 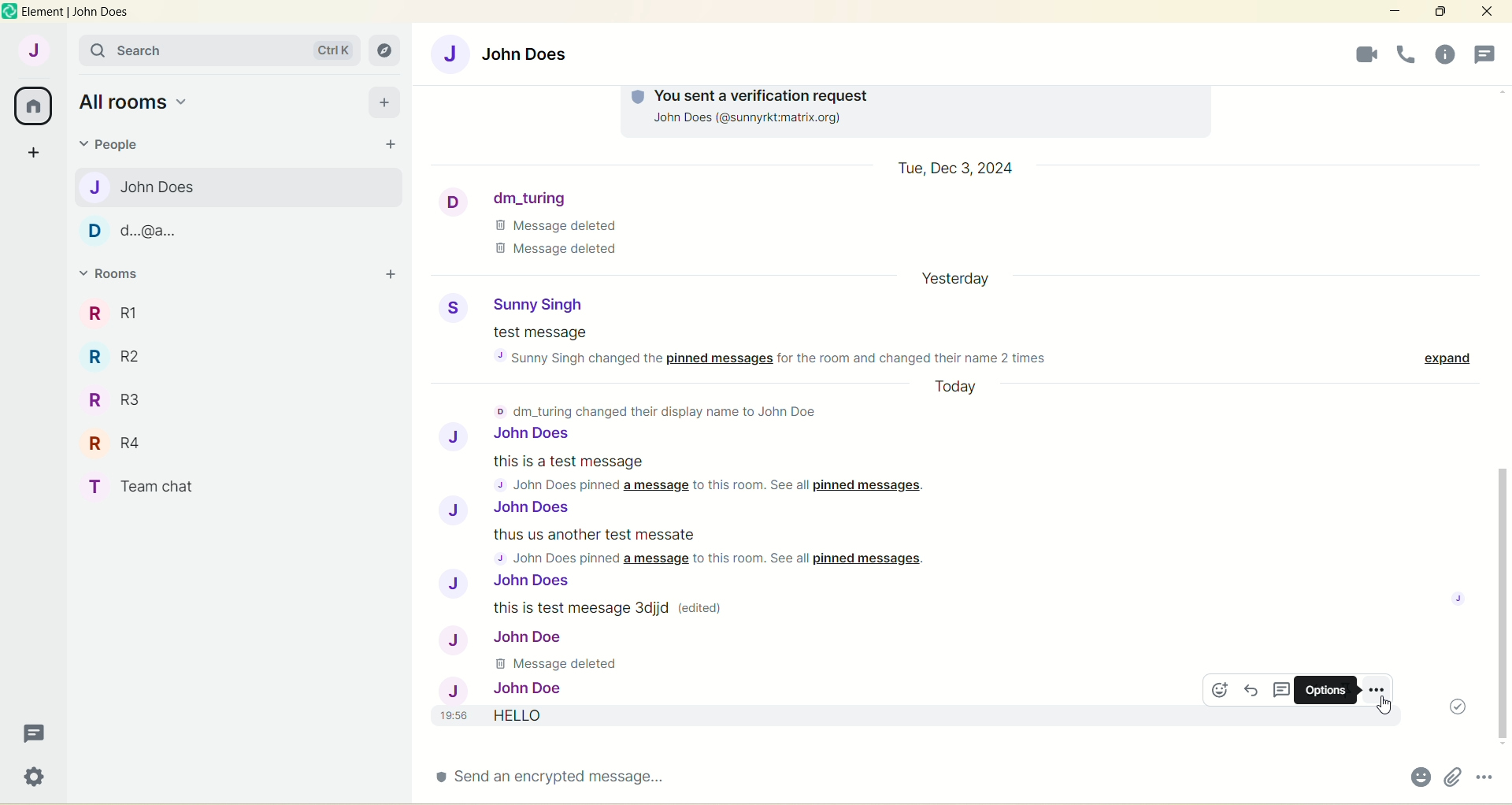 What do you see at coordinates (1392, 11) in the screenshot?
I see `minimize` at bounding box center [1392, 11].